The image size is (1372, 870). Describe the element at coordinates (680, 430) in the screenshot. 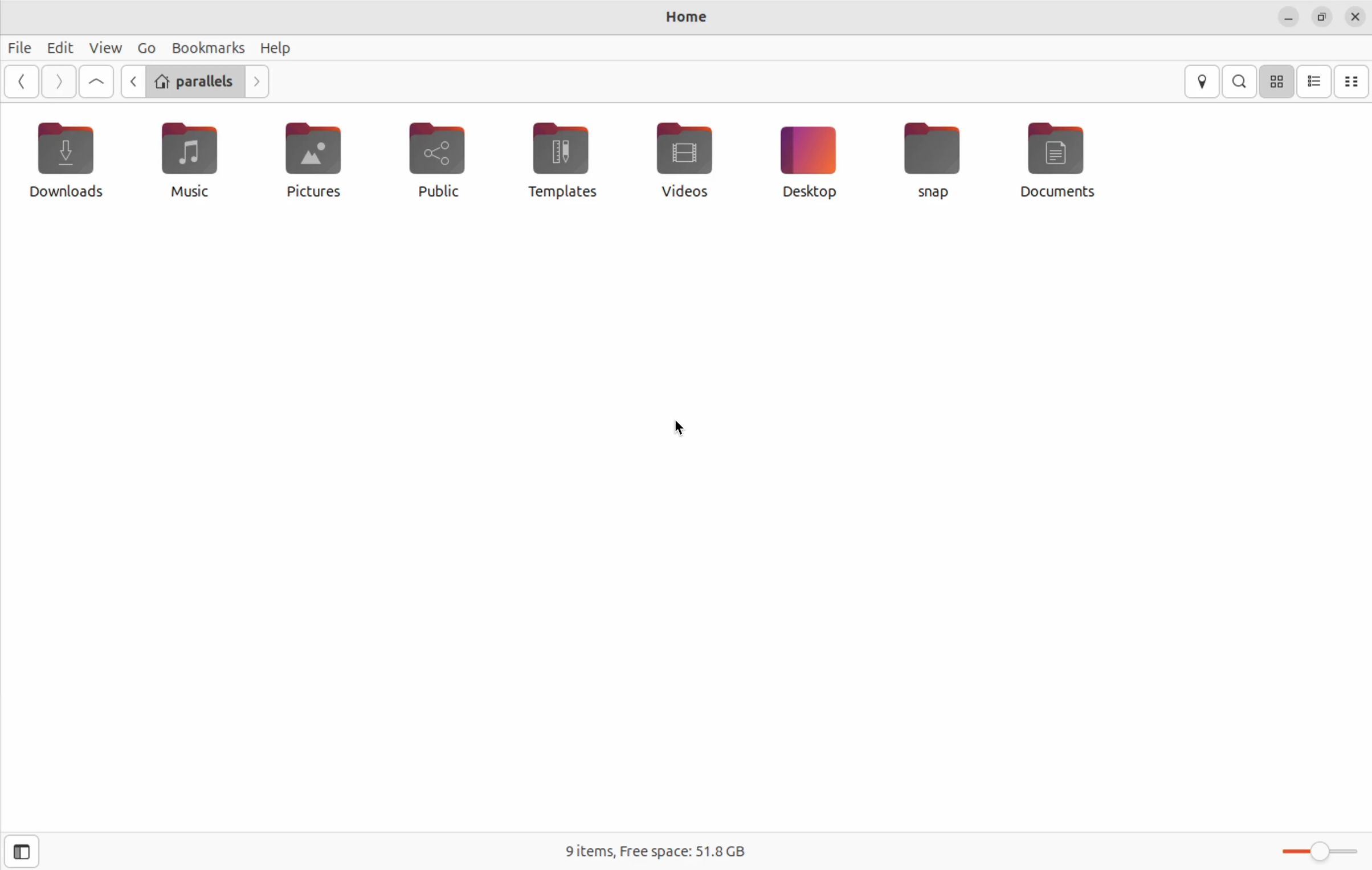

I see `cursor` at that location.